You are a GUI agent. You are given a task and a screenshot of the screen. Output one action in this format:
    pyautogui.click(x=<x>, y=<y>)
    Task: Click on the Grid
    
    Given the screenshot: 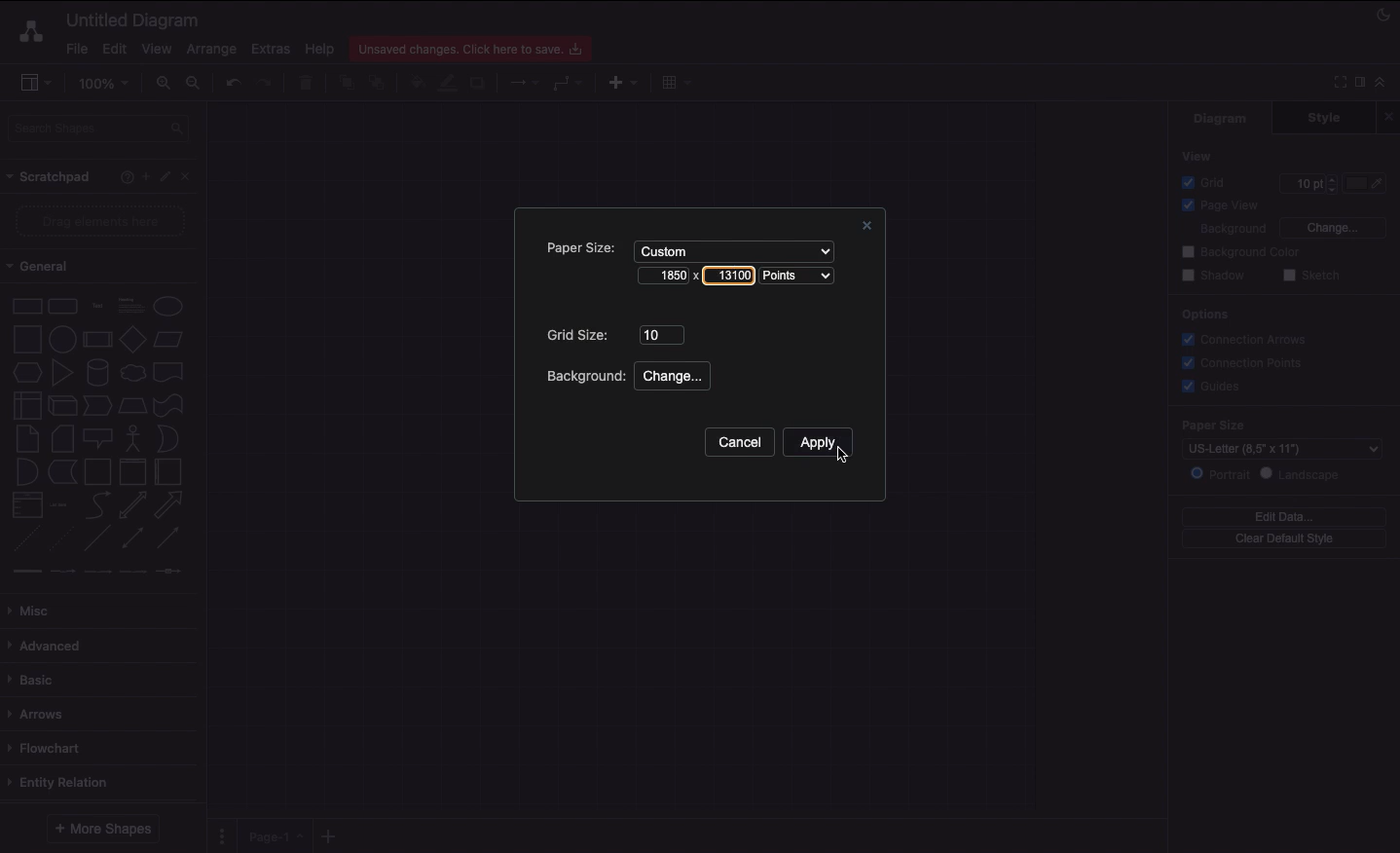 What is the action you would take?
    pyautogui.click(x=1208, y=182)
    